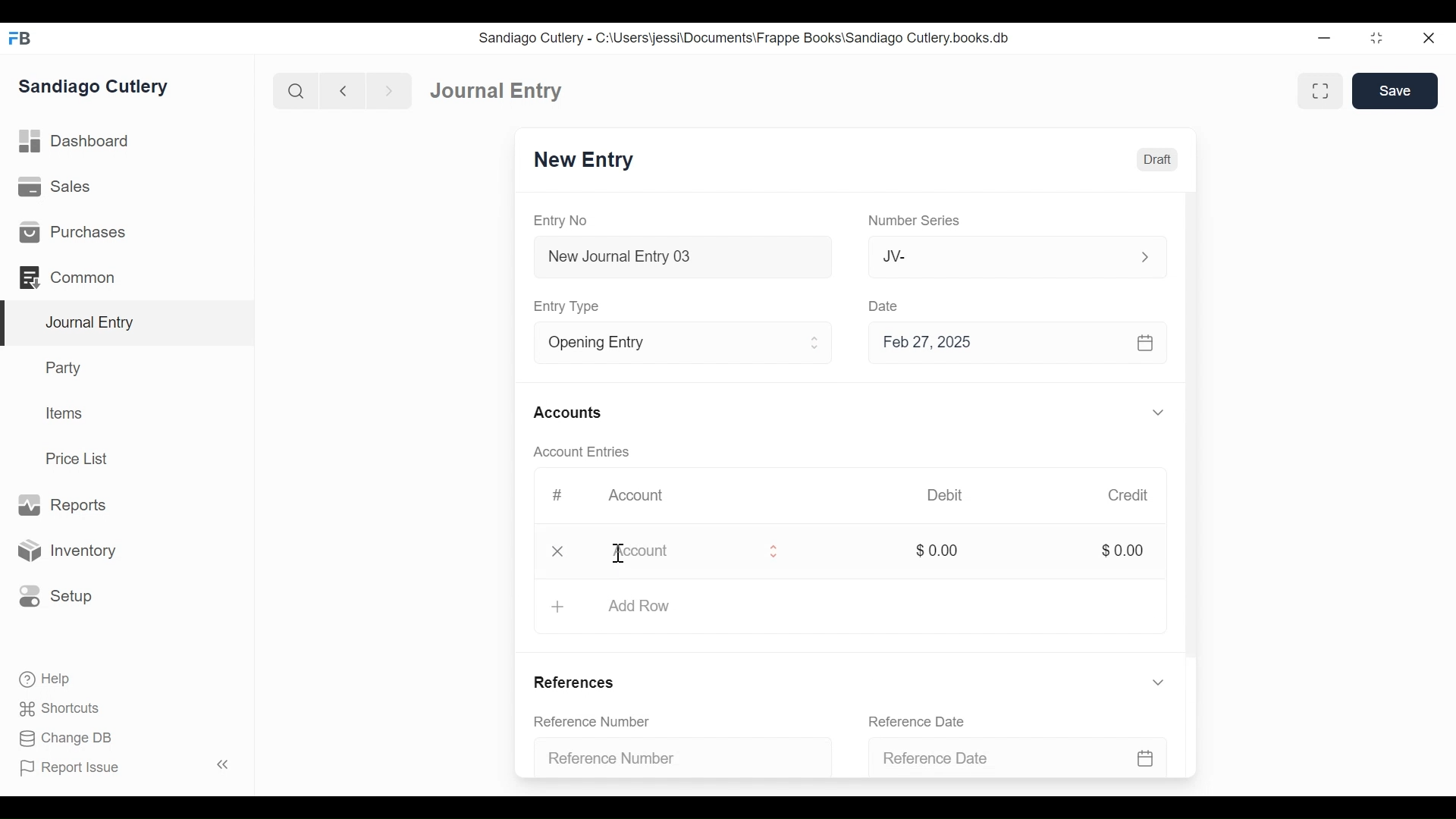 The width and height of the screenshot is (1456, 819). I want to click on Debit, so click(946, 494).